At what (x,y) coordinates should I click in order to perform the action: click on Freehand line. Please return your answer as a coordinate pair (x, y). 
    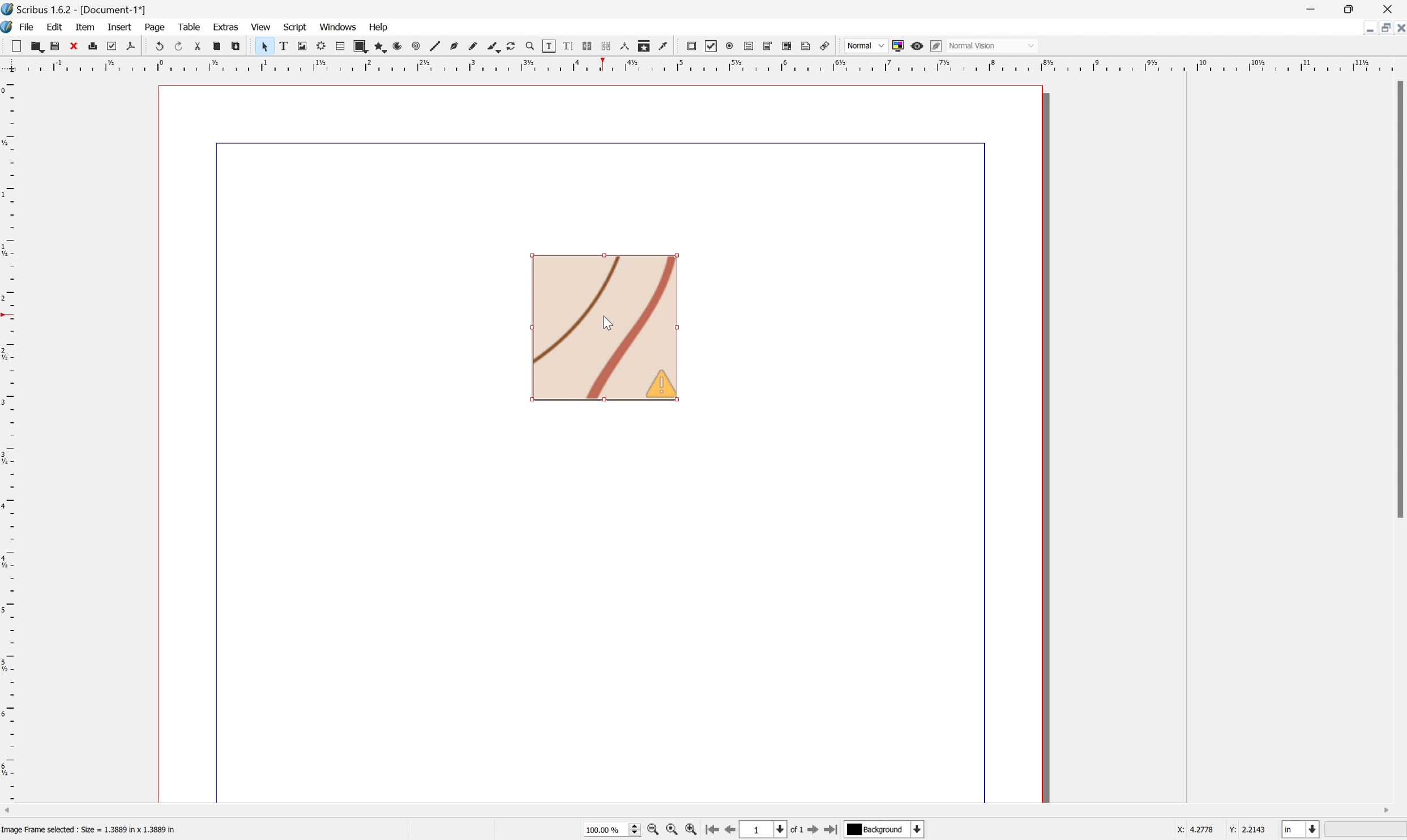
    Looking at the image, I should click on (476, 44).